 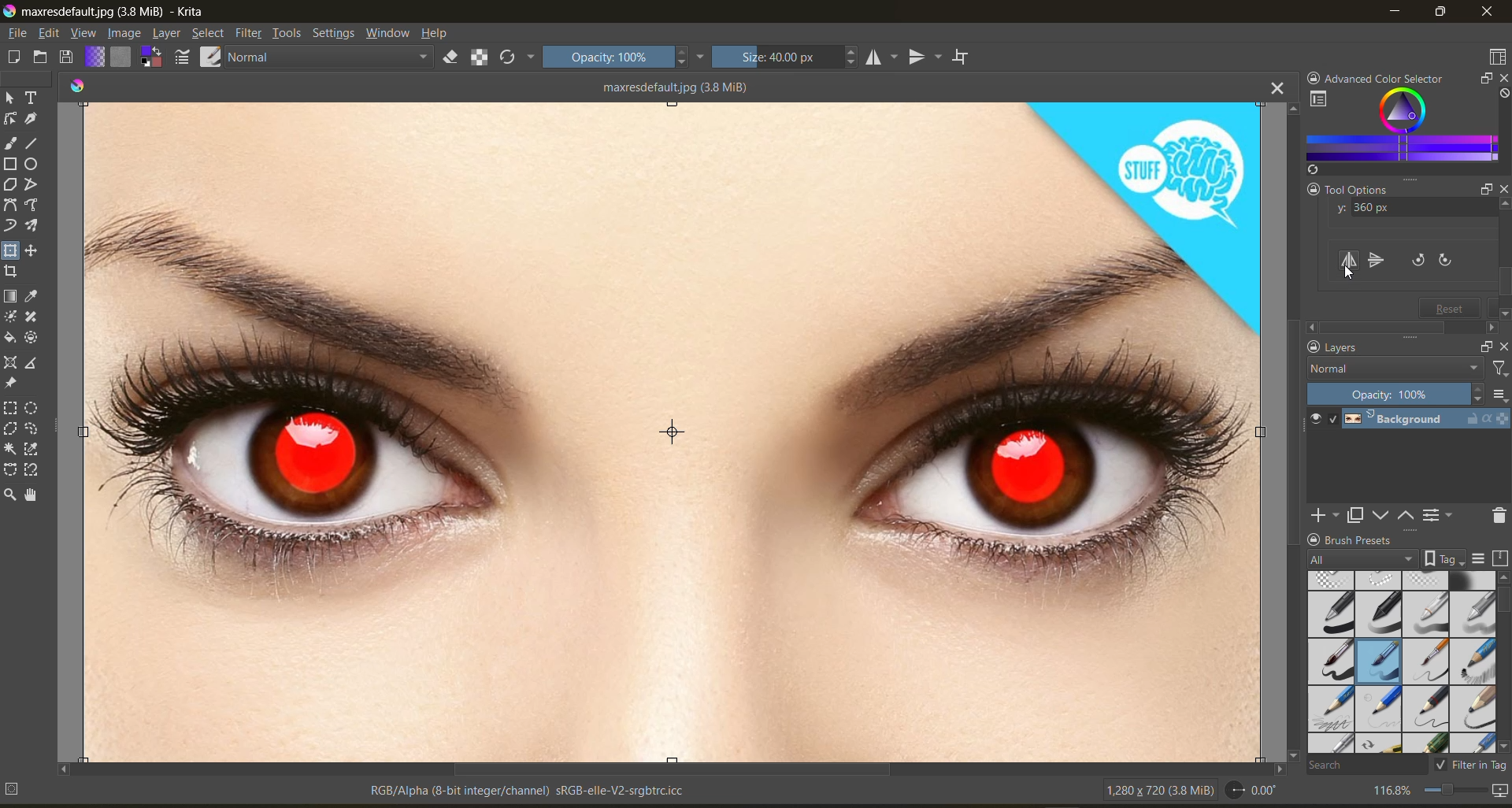 I want to click on tool, so click(x=11, y=409).